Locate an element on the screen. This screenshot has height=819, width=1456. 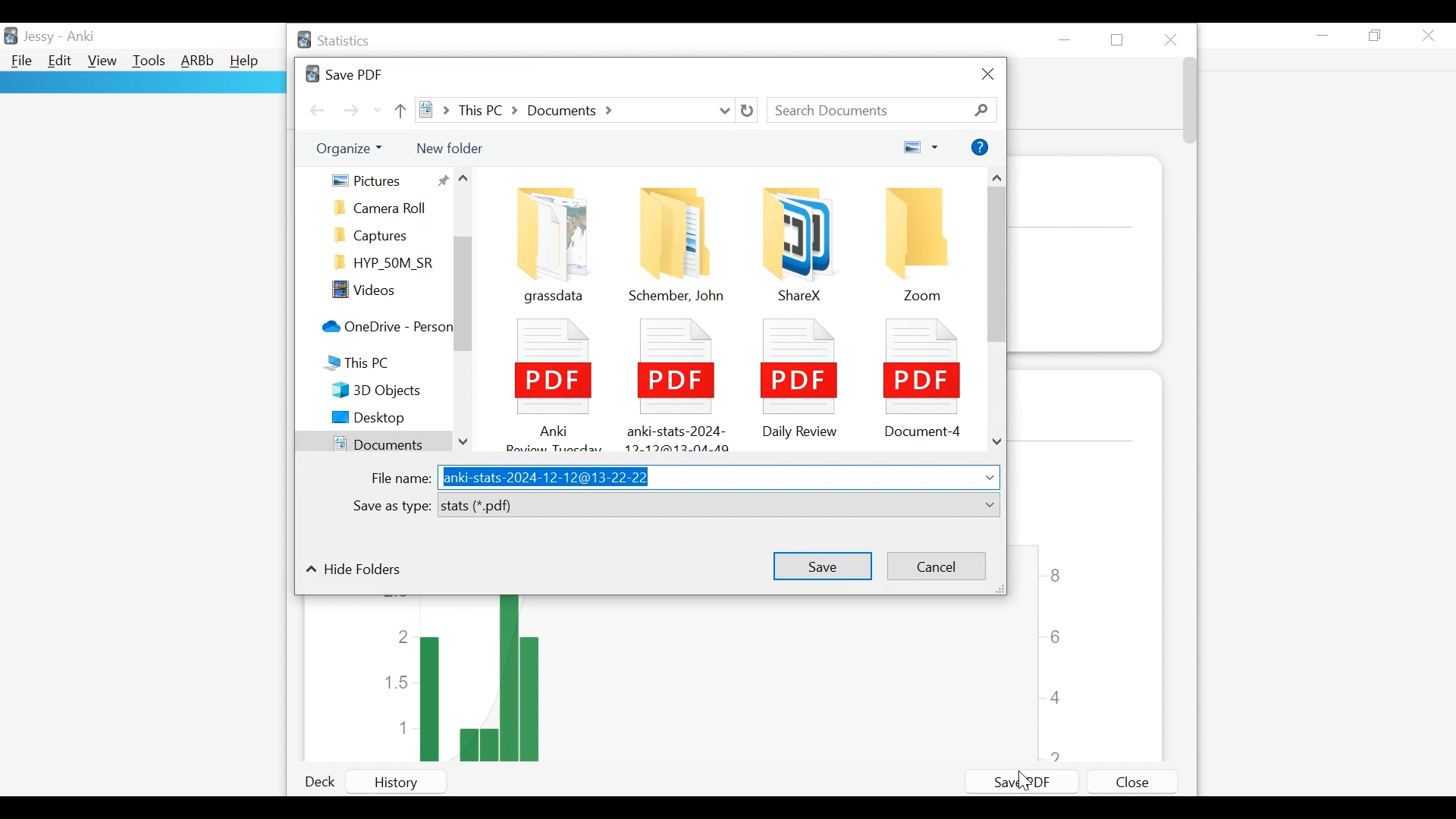
Picturees is located at coordinates (388, 180).